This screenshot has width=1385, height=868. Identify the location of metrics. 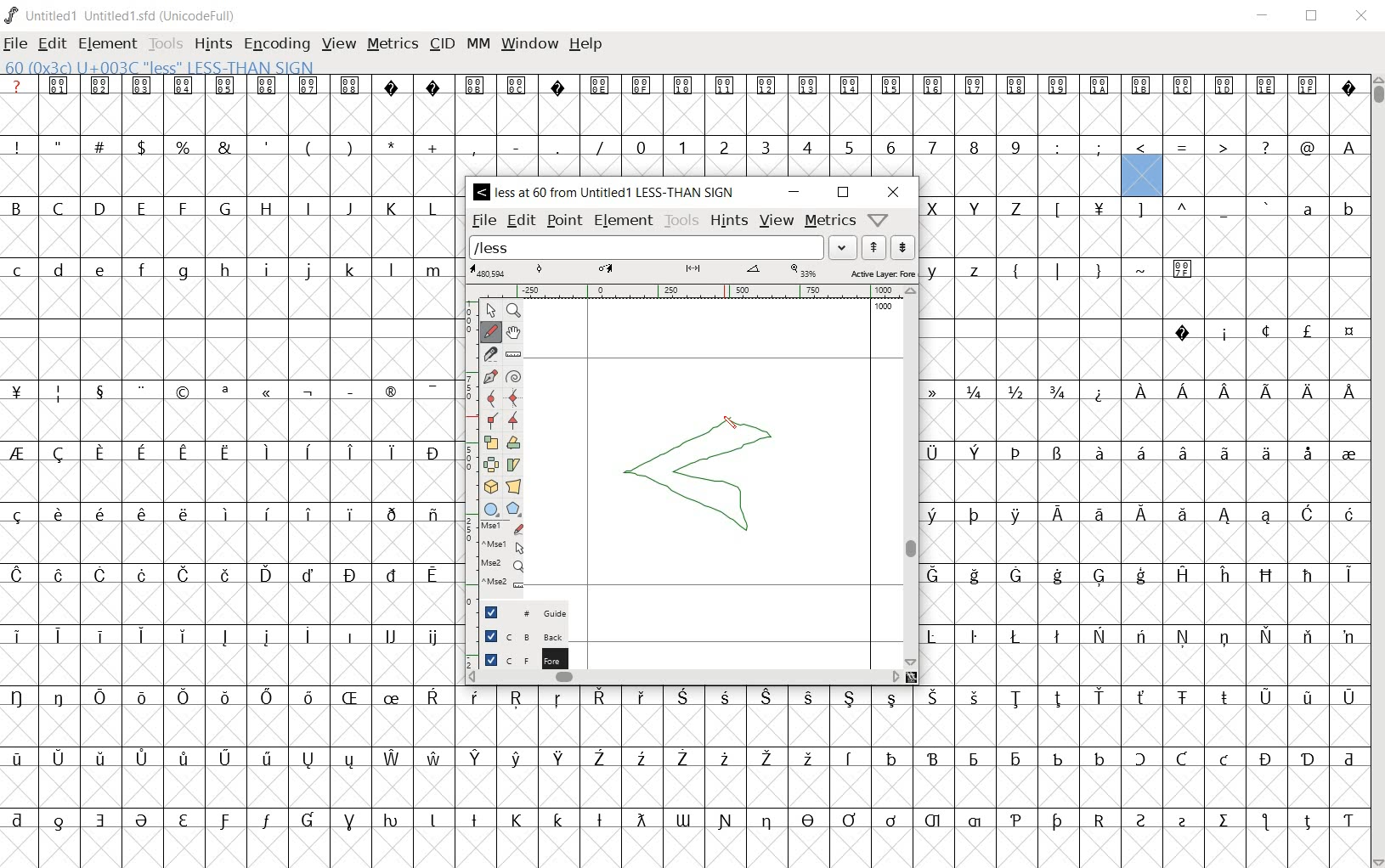
(393, 45).